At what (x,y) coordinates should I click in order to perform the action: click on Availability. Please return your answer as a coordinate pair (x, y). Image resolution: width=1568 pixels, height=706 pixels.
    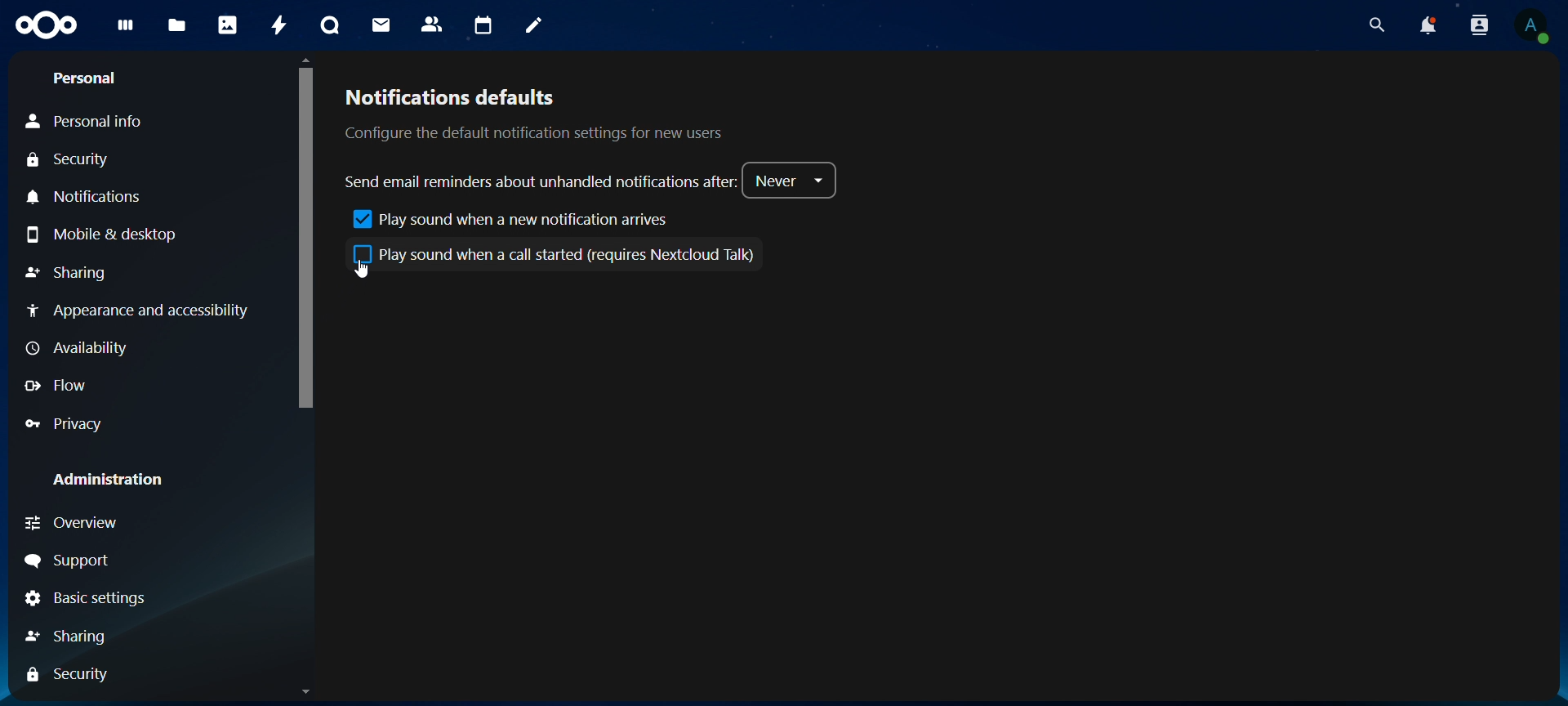
    Looking at the image, I should click on (73, 350).